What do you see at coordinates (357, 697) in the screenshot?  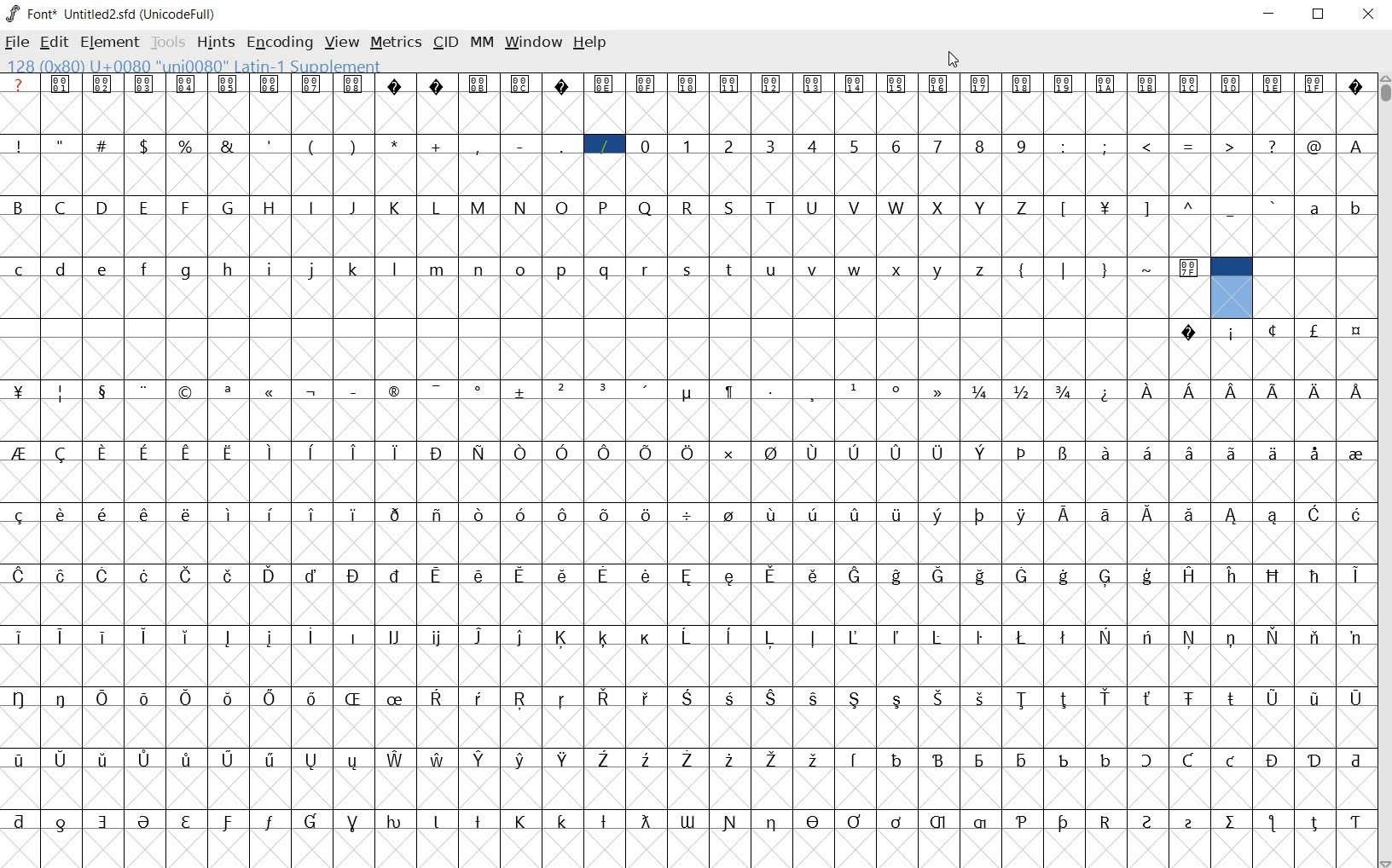 I see `Symbol` at bounding box center [357, 697].